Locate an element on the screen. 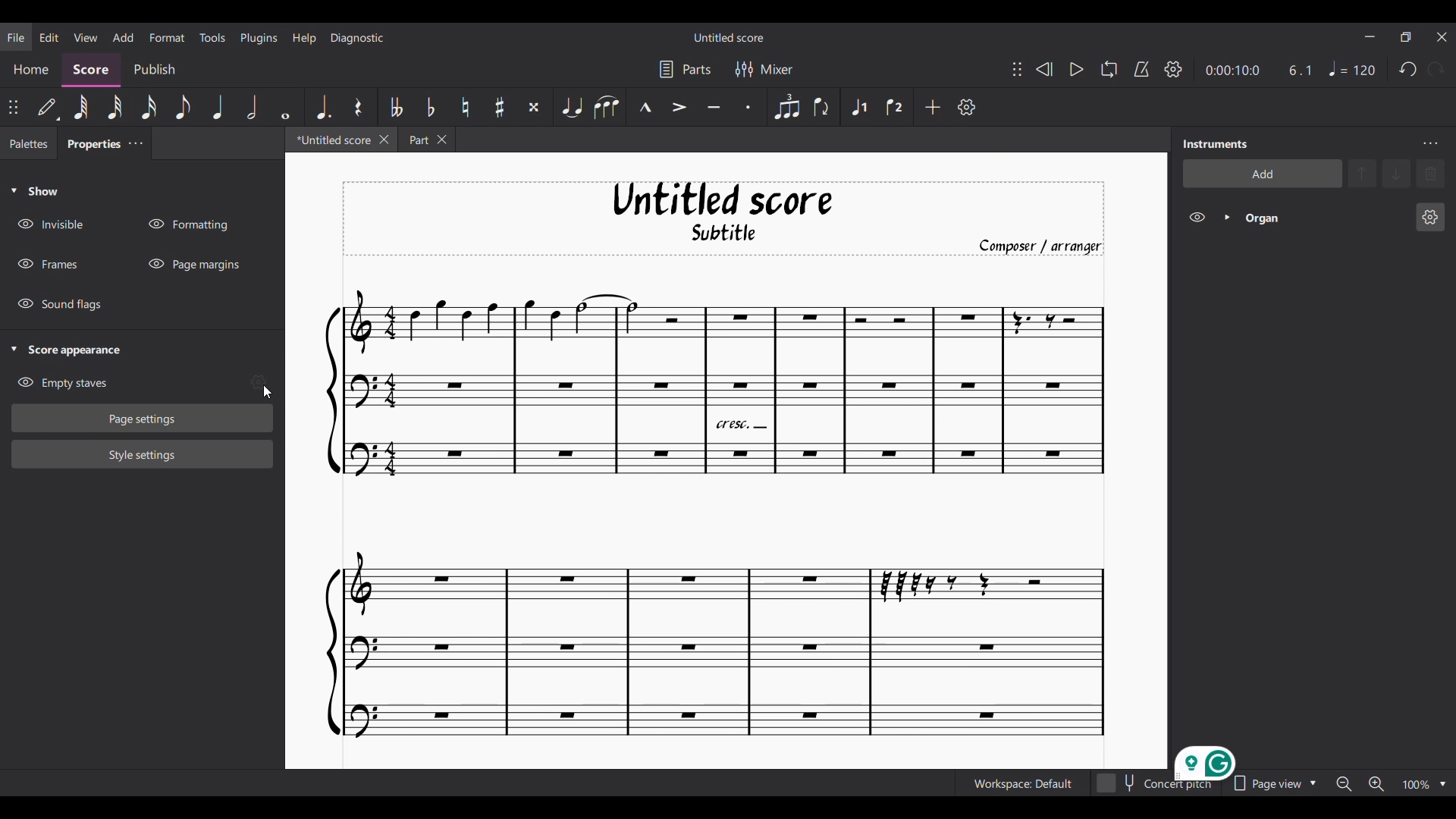 The image size is (1456, 819). Default is located at coordinates (48, 107).